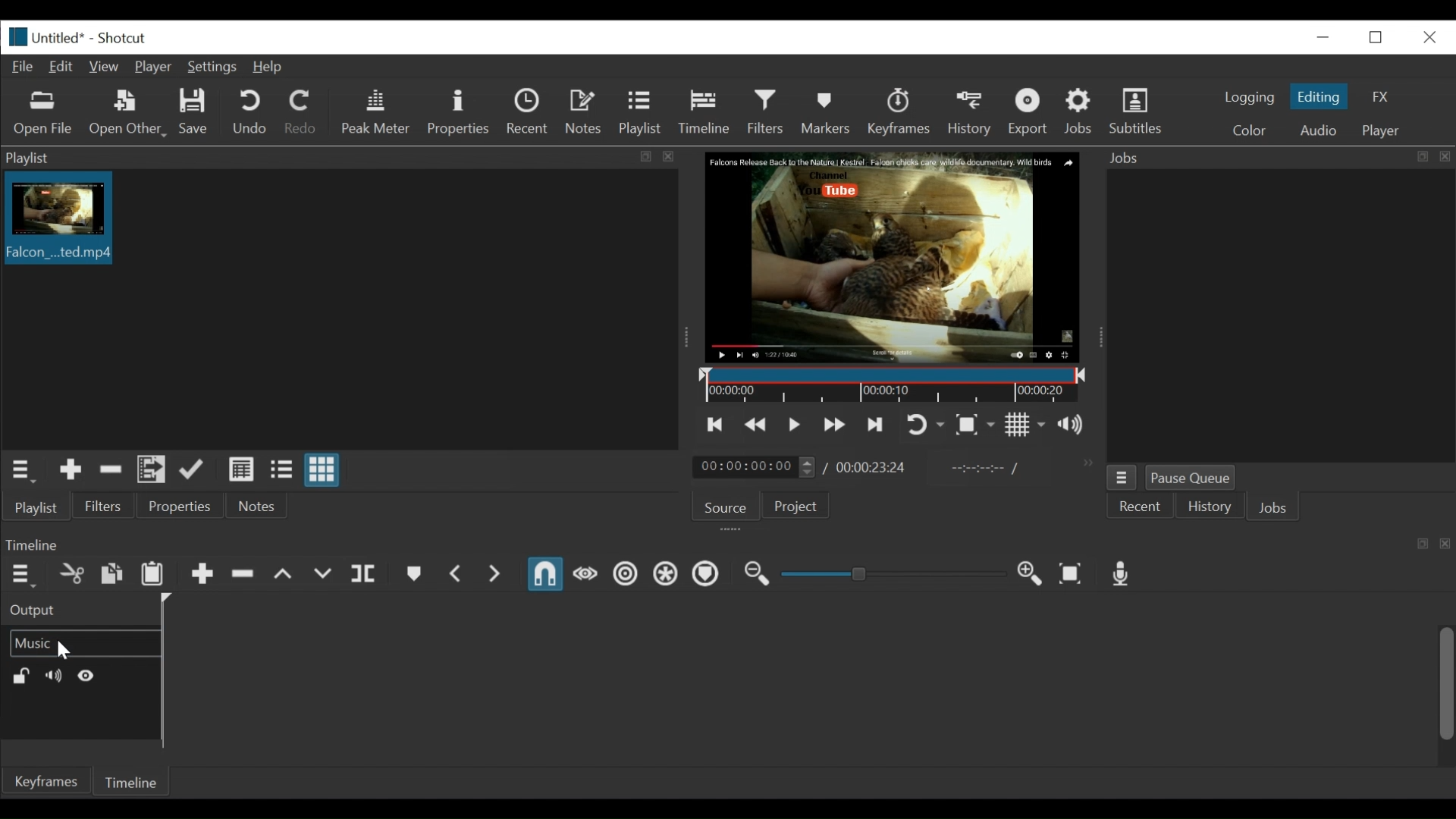 Image resolution: width=1456 pixels, height=819 pixels. What do you see at coordinates (268, 66) in the screenshot?
I see `Help` at bounding box center [268, 66].